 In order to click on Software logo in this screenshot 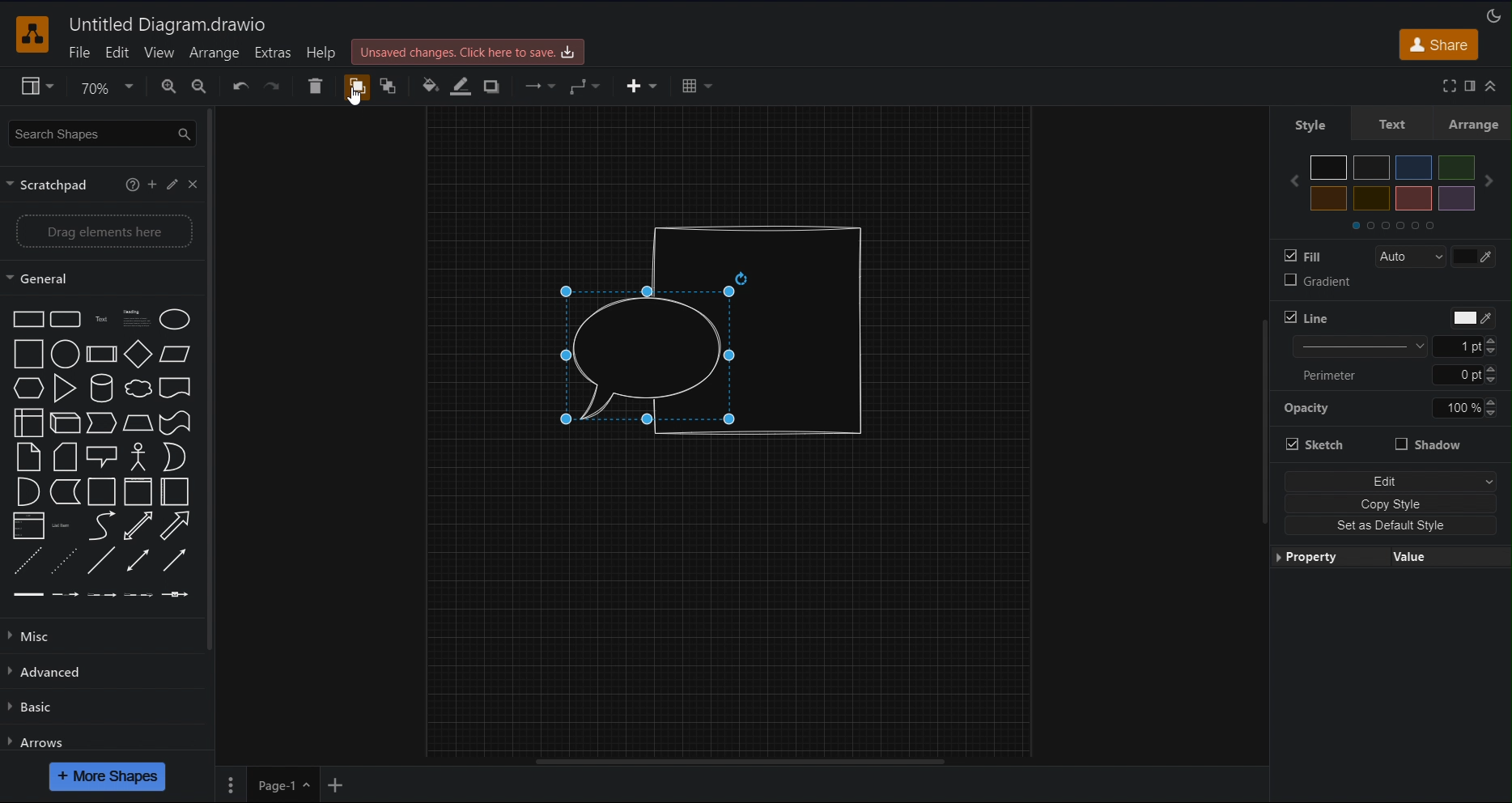, I will do `click(32, 35)`.